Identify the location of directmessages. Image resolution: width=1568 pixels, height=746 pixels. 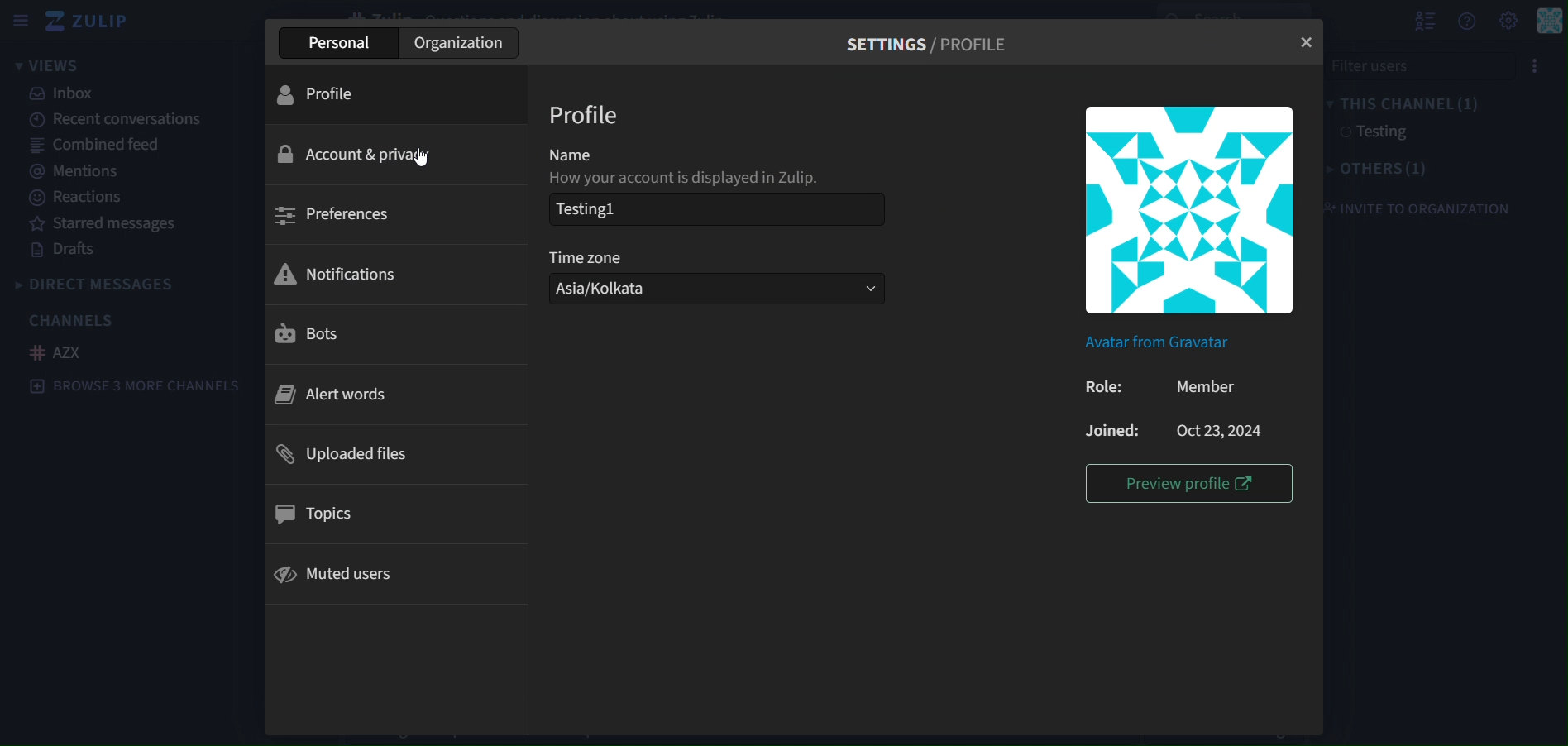
(127, 284).